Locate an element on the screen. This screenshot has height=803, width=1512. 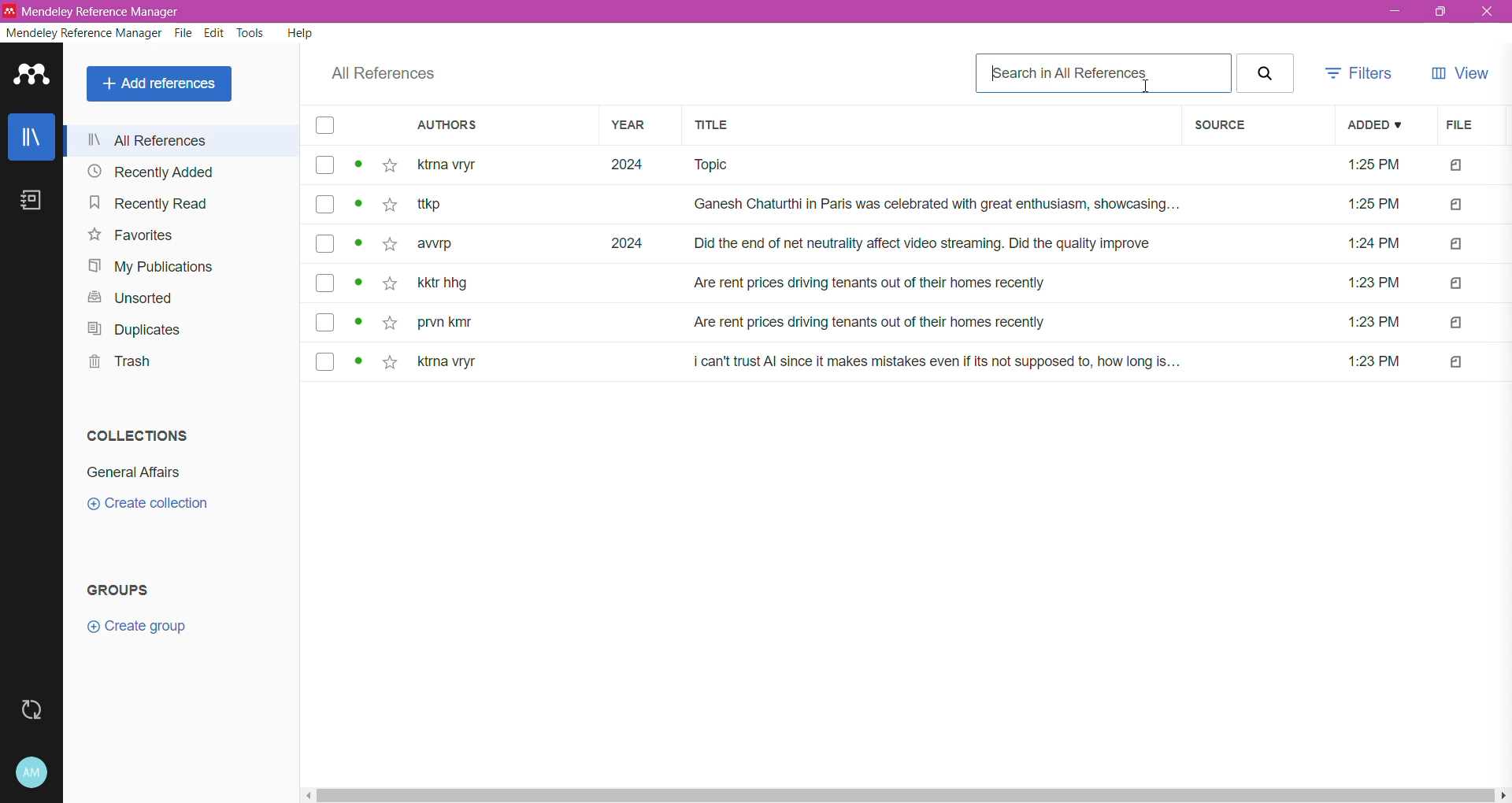
view status is located at coordinates (361, 165).